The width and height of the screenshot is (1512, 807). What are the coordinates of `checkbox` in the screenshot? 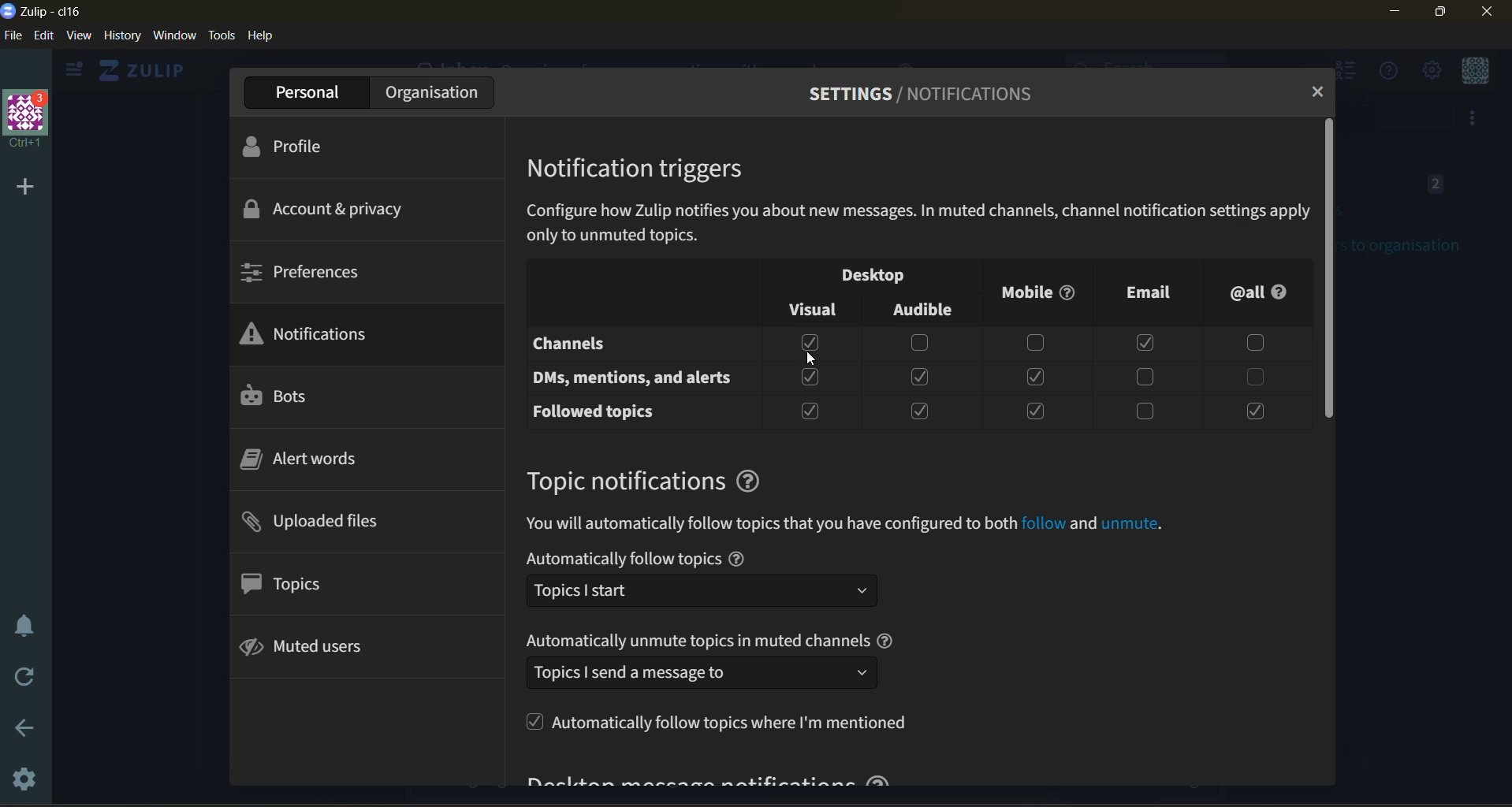 It's located at (812, 343).